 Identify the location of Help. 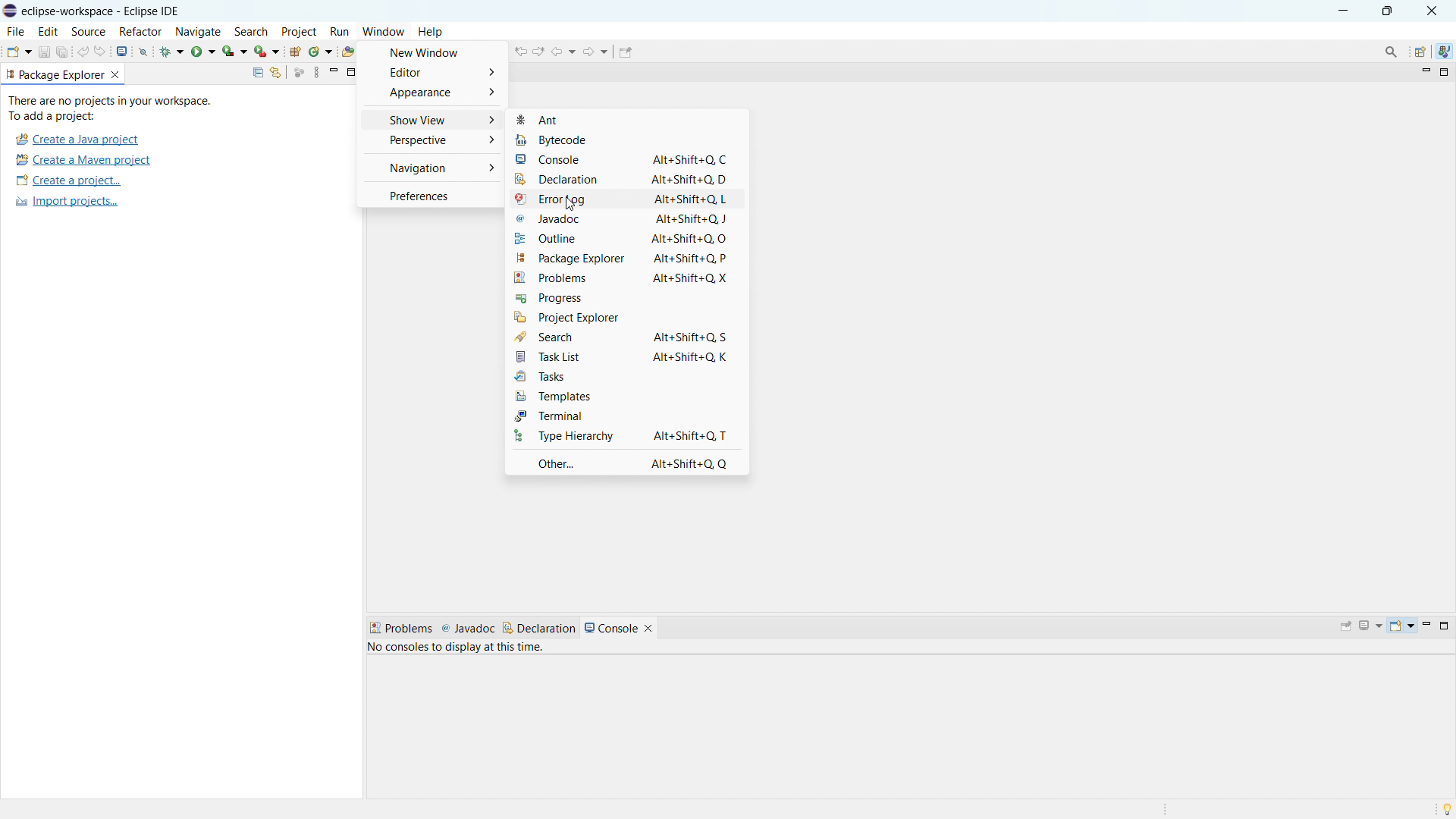
(433, 30).